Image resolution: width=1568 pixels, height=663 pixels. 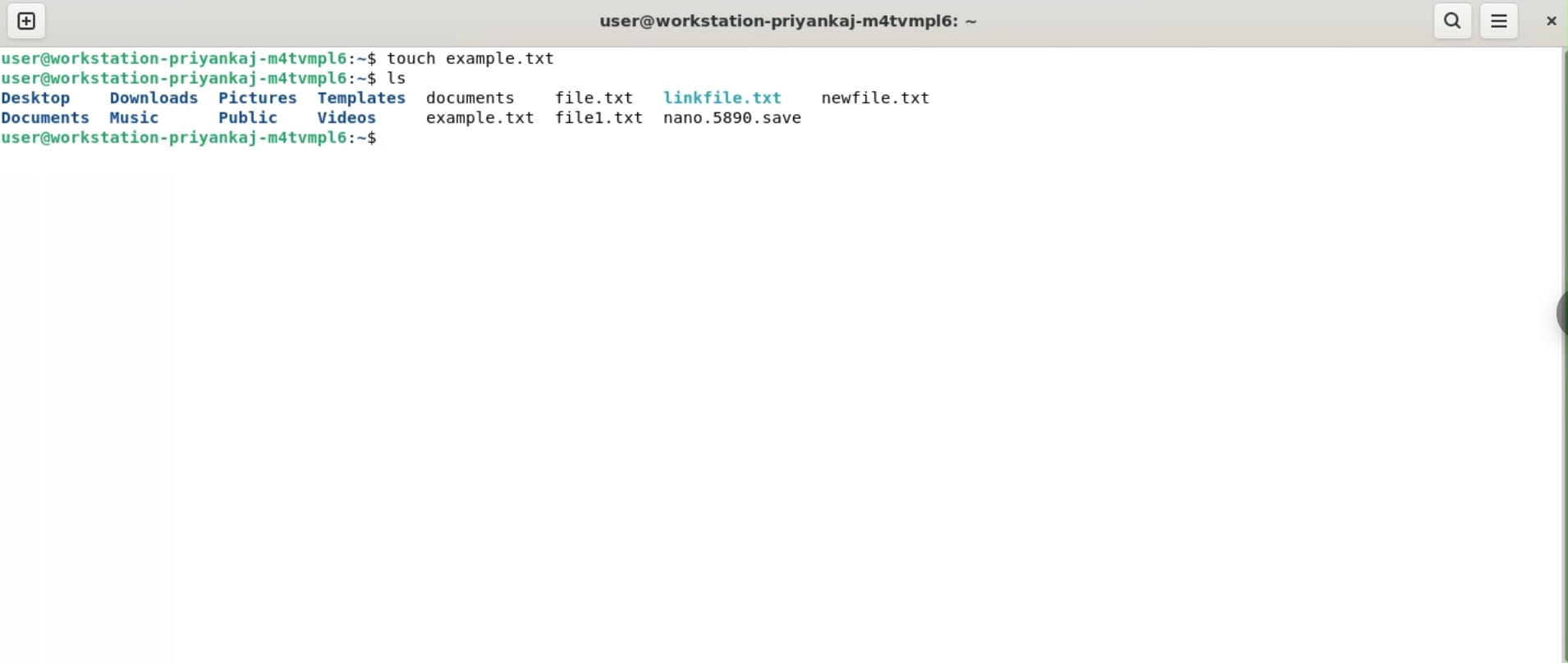 What do you see at coordinates (1452, 21) in the screenshot?
I see `search` at bounding box center [1452, 21].